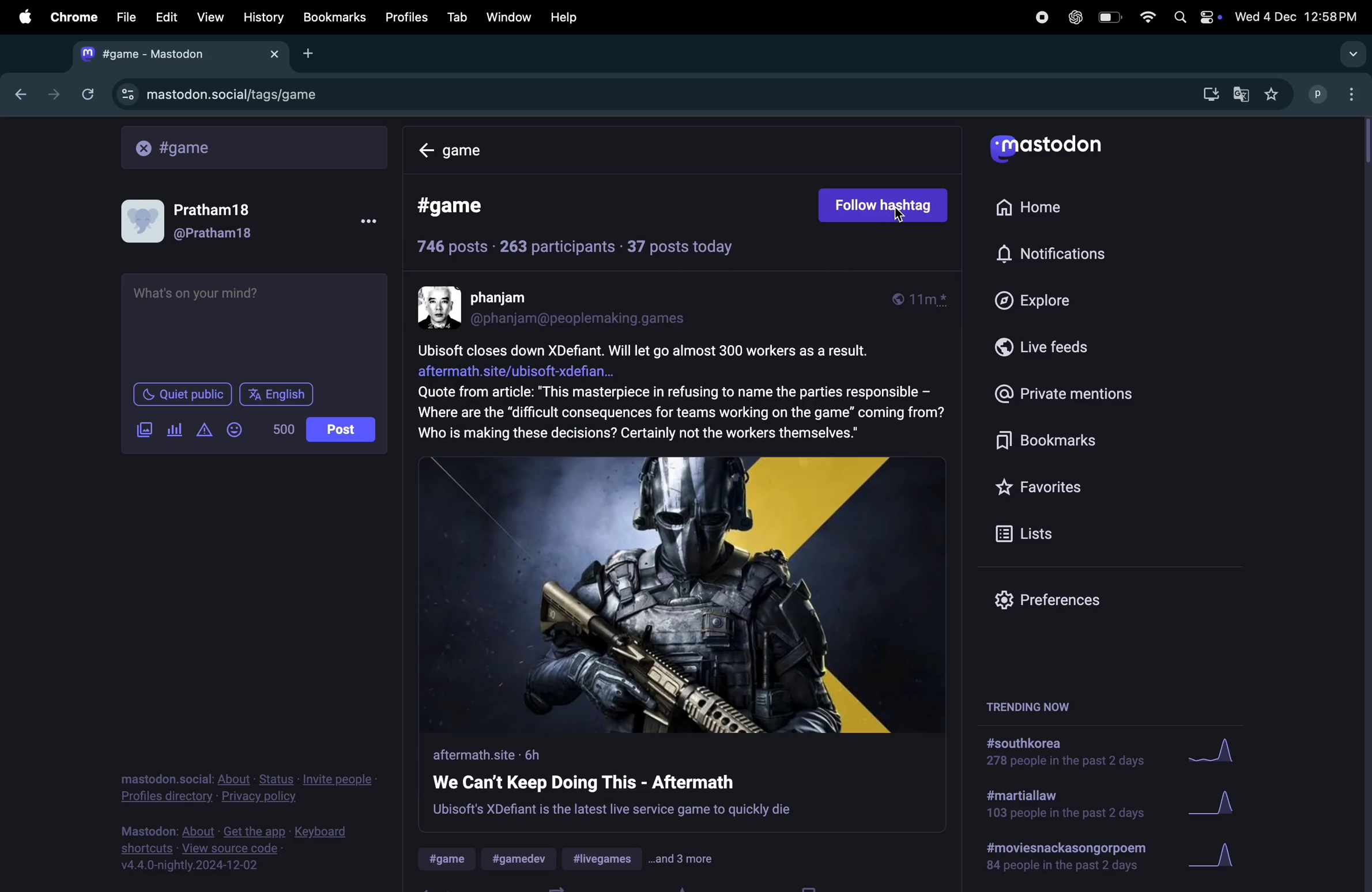  What do you see at coordinates (54, 92) in the screenshot?
I see `next tab` at bounding box center [54, 92].